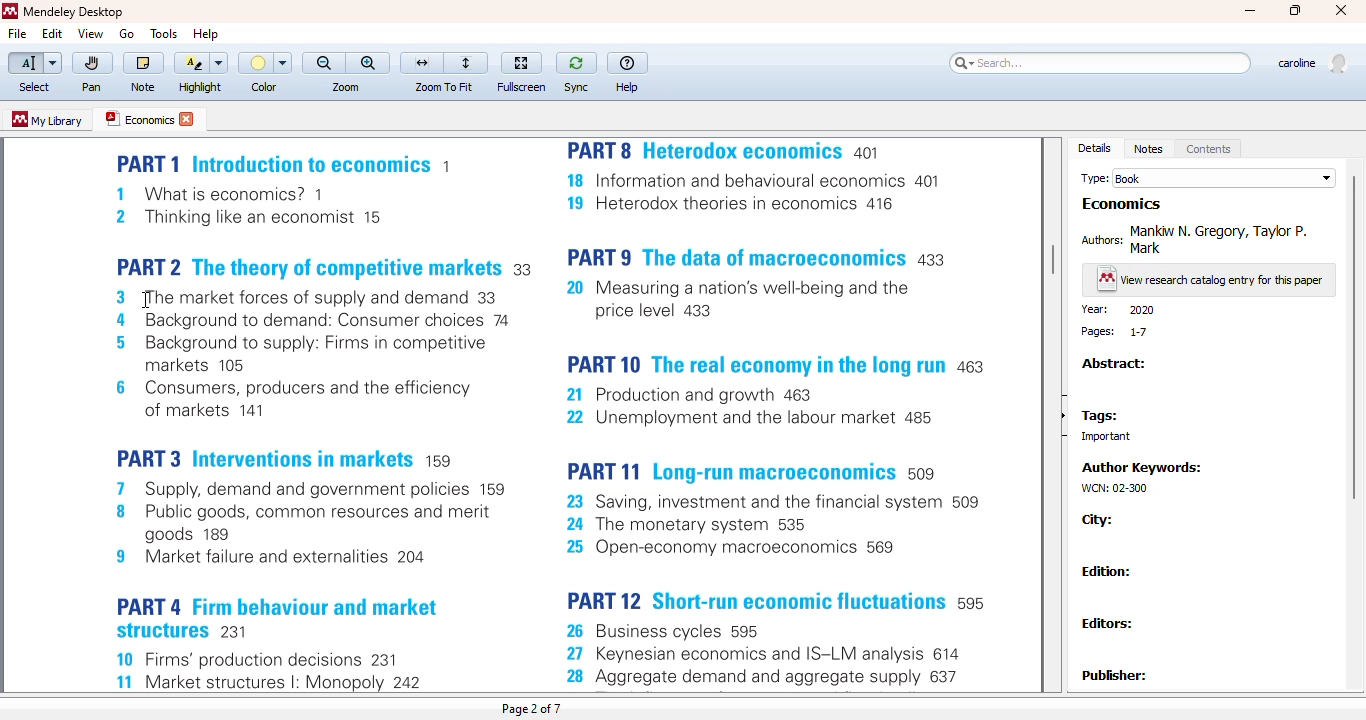  Describe the element at coordinates (54, 33) in the screenshot. I see `Edit` at that location.